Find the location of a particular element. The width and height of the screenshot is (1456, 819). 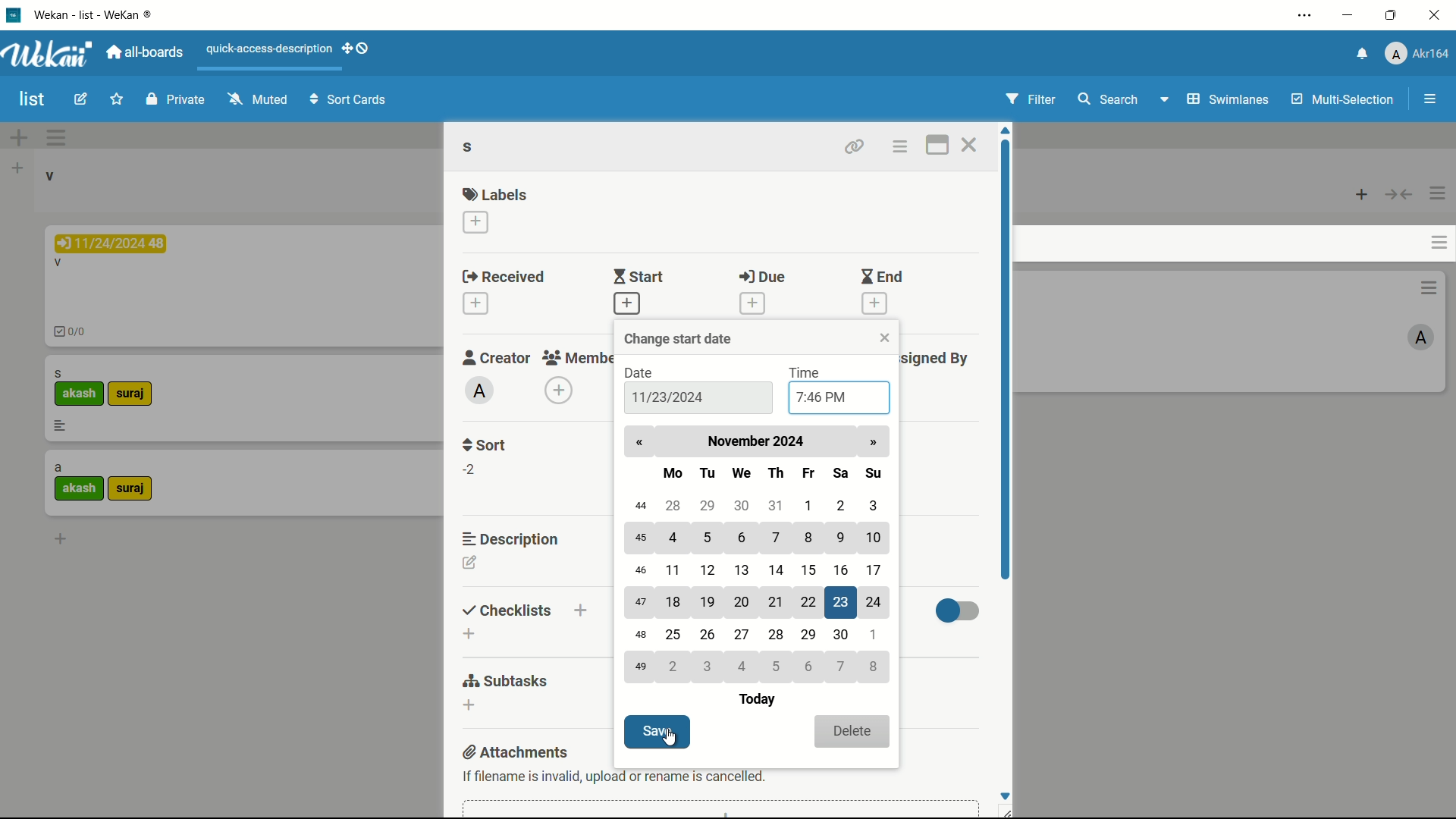

-2 is located at coordinates (472, 469).